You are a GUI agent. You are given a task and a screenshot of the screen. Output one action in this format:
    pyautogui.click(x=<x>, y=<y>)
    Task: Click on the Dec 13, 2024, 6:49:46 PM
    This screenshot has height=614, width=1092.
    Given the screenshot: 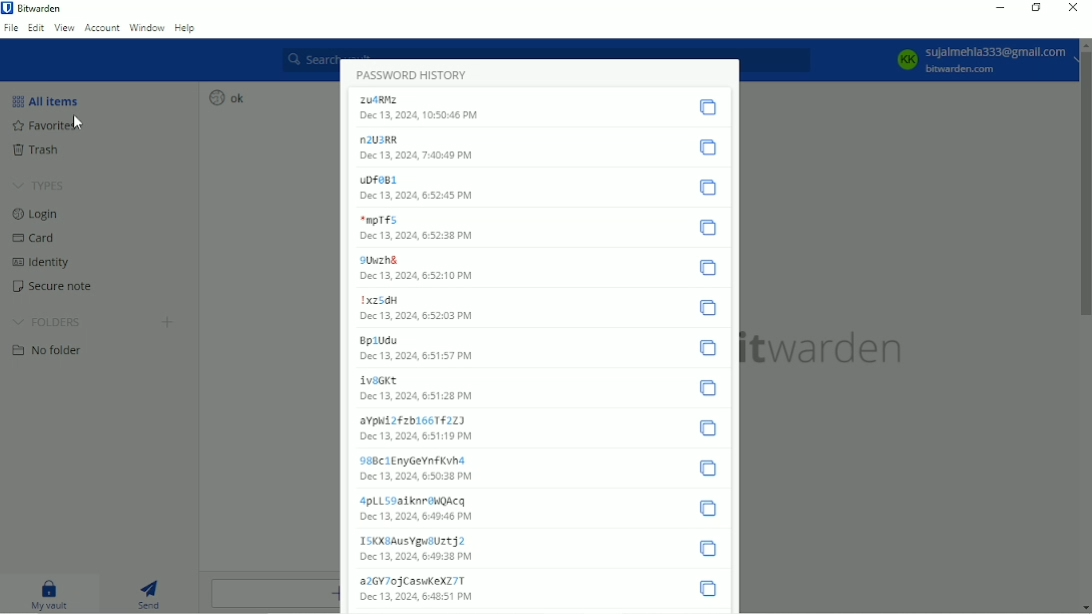 What is the action you would take?
    pyautogui.click(x=416, y=518)
    